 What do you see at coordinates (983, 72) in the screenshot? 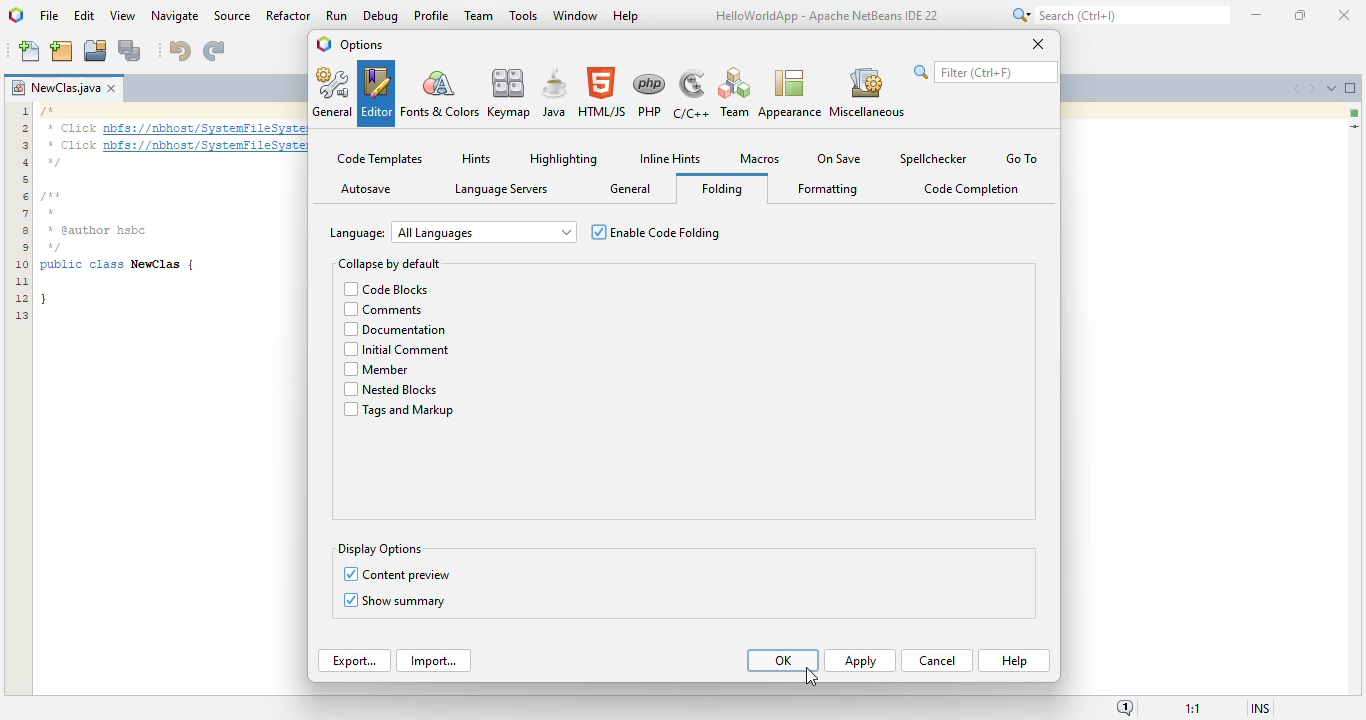
I see `search bar` at bounding box center [983, 72].